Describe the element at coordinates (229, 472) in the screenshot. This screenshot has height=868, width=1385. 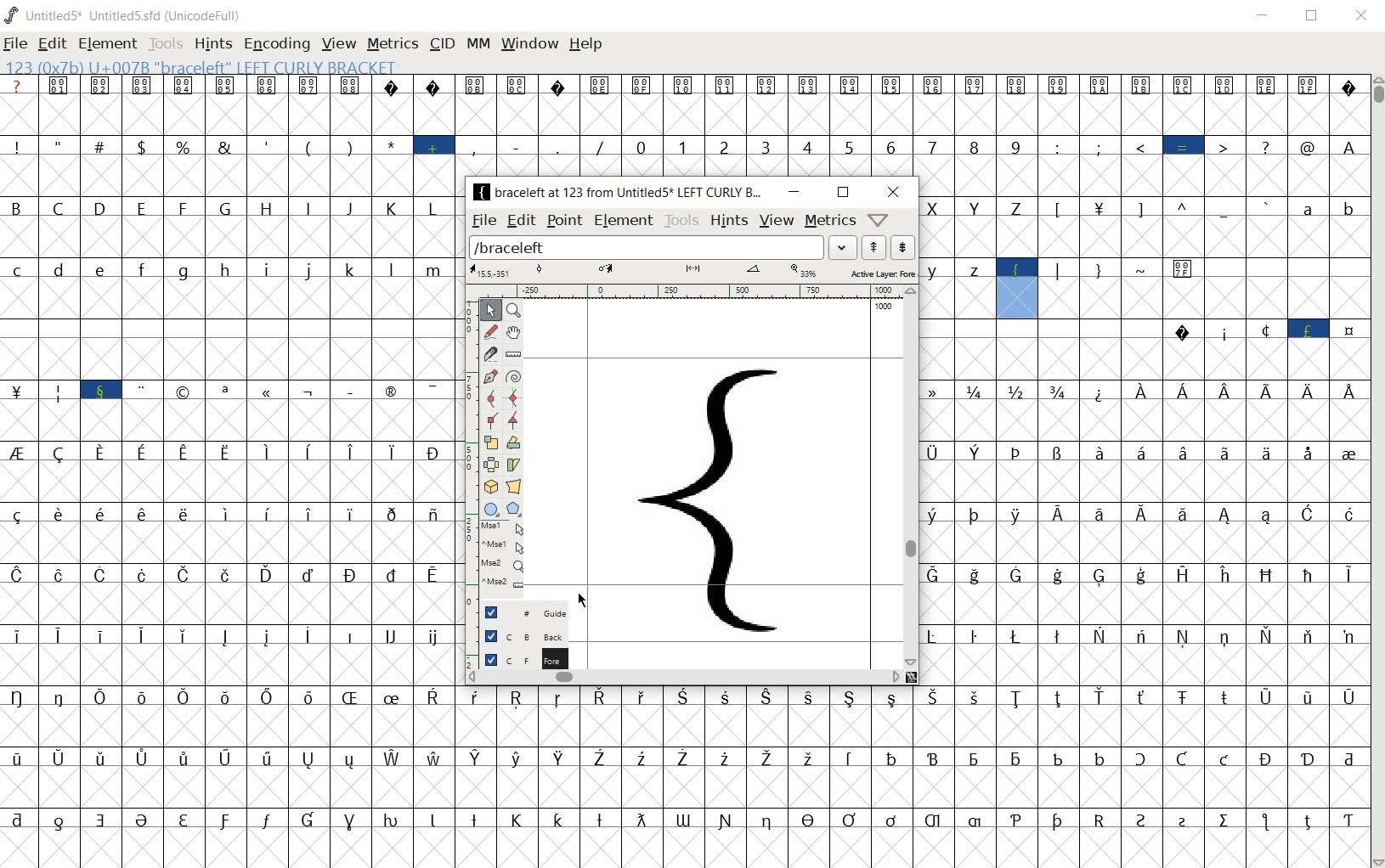
I see `glyphs` at that location.